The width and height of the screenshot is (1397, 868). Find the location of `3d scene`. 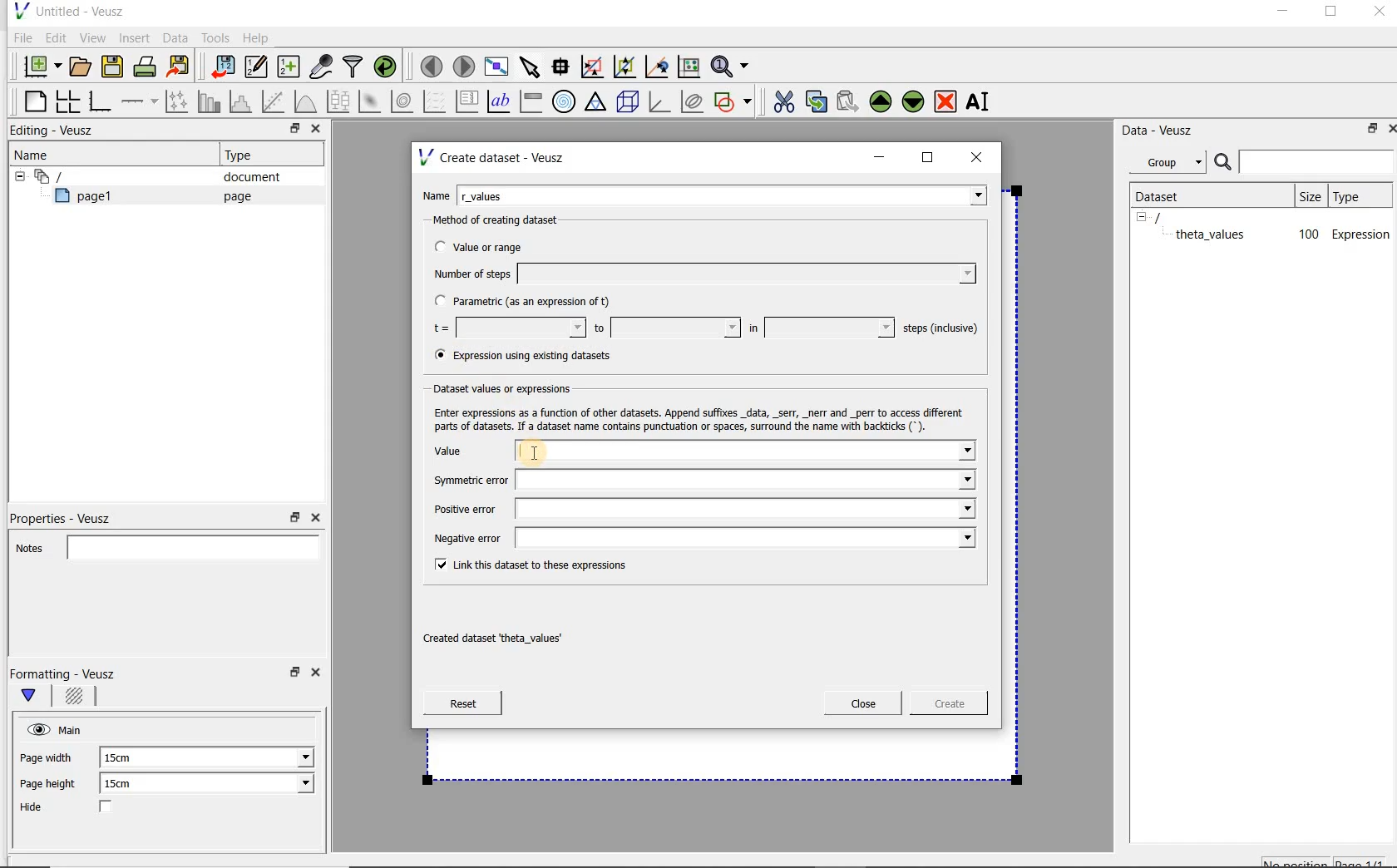

3d scene is located at coordinates (629, 103).